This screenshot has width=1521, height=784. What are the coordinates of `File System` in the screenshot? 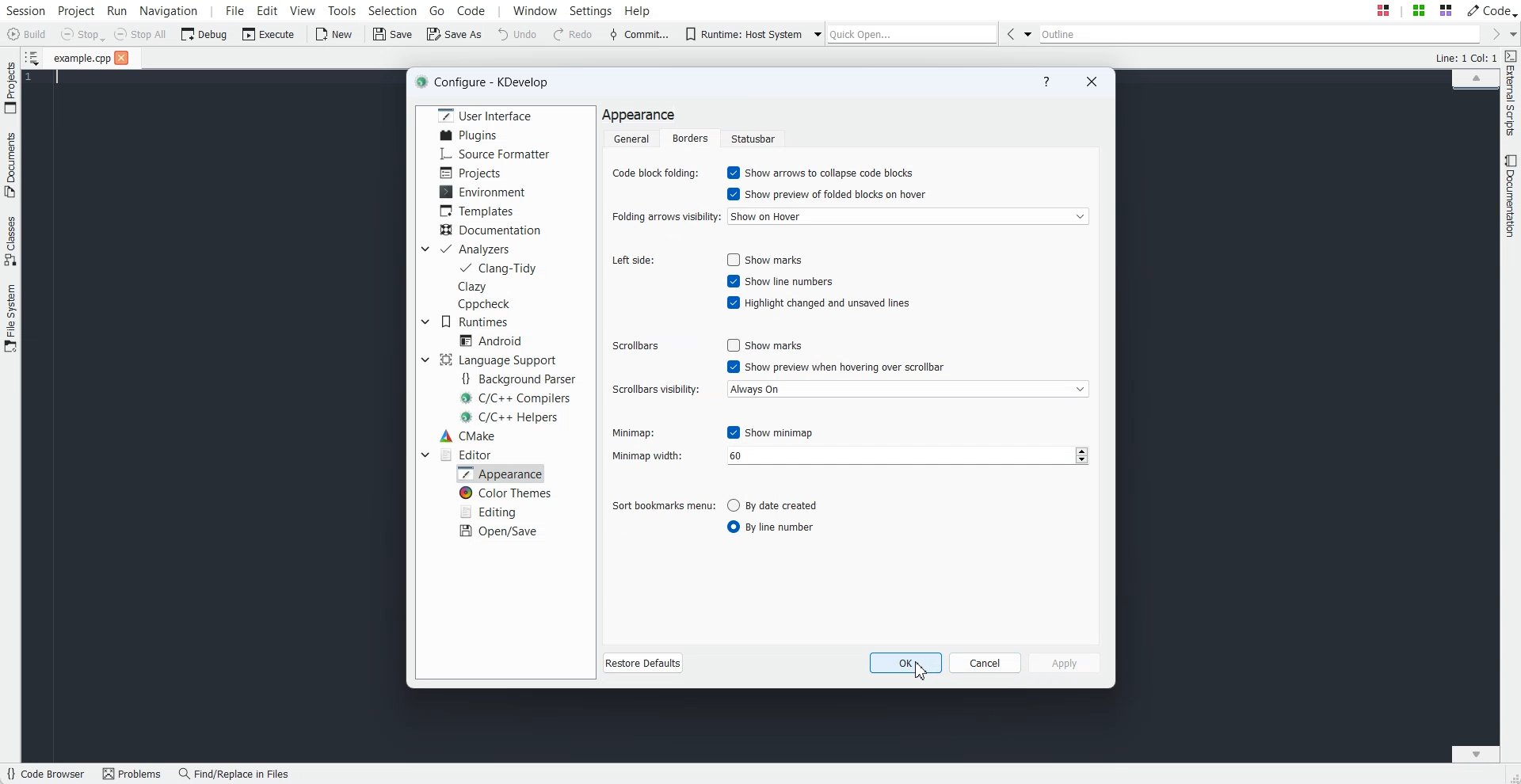 It's located at (10, 319).